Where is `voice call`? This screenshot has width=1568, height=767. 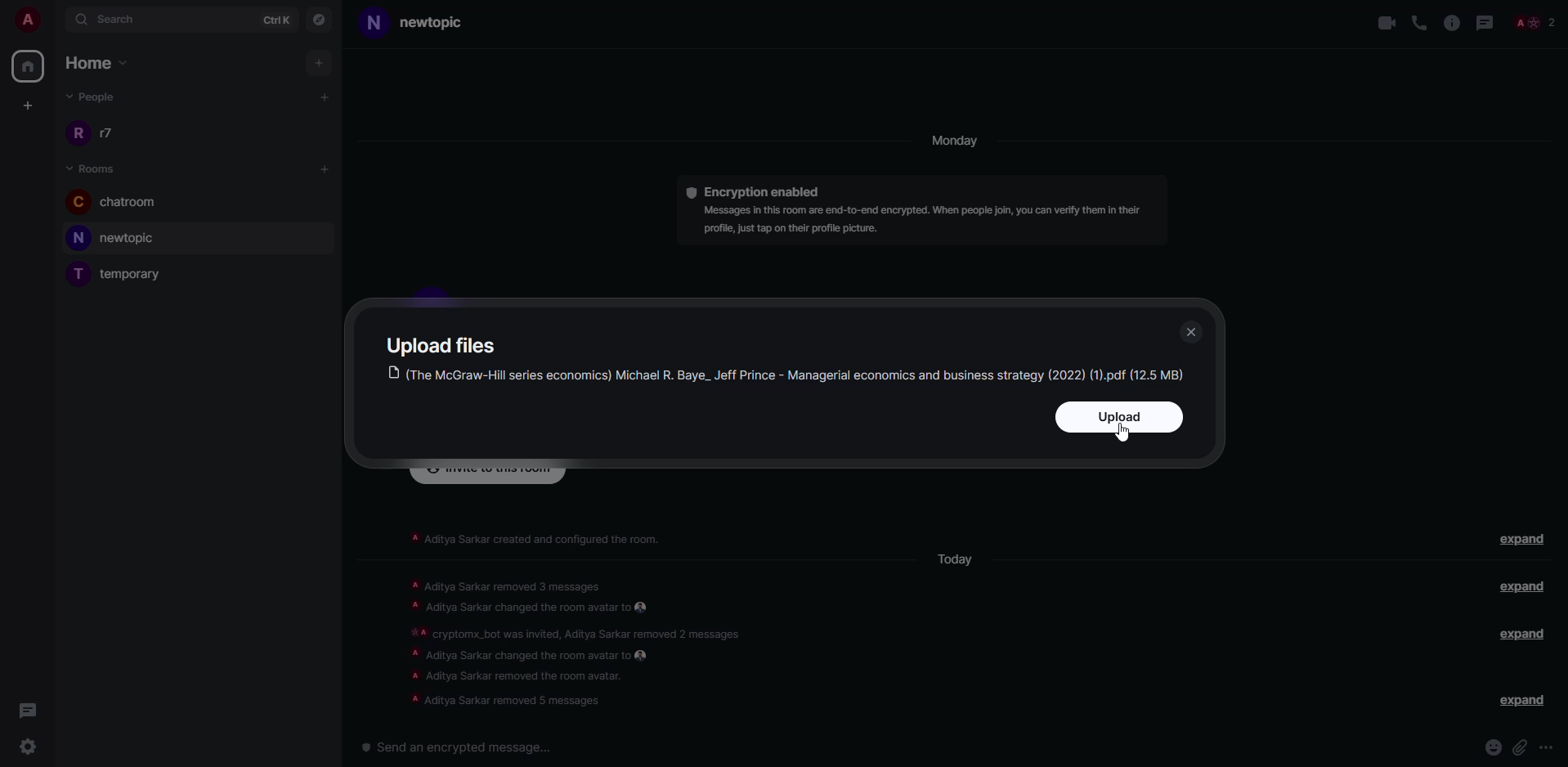
voice call is located at coordinates (1419, 22).